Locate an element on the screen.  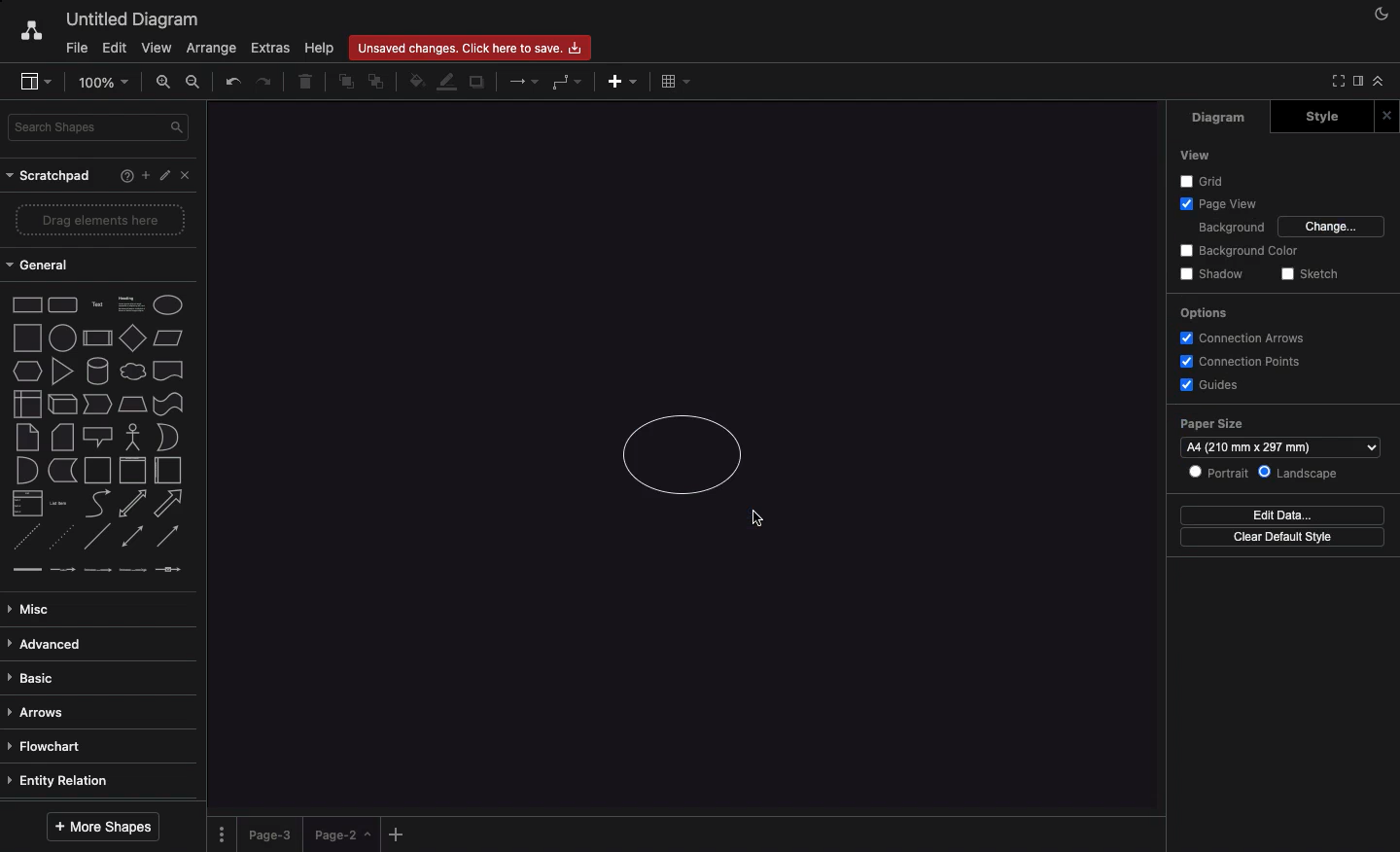
cube is located at coordinates (62, 405).